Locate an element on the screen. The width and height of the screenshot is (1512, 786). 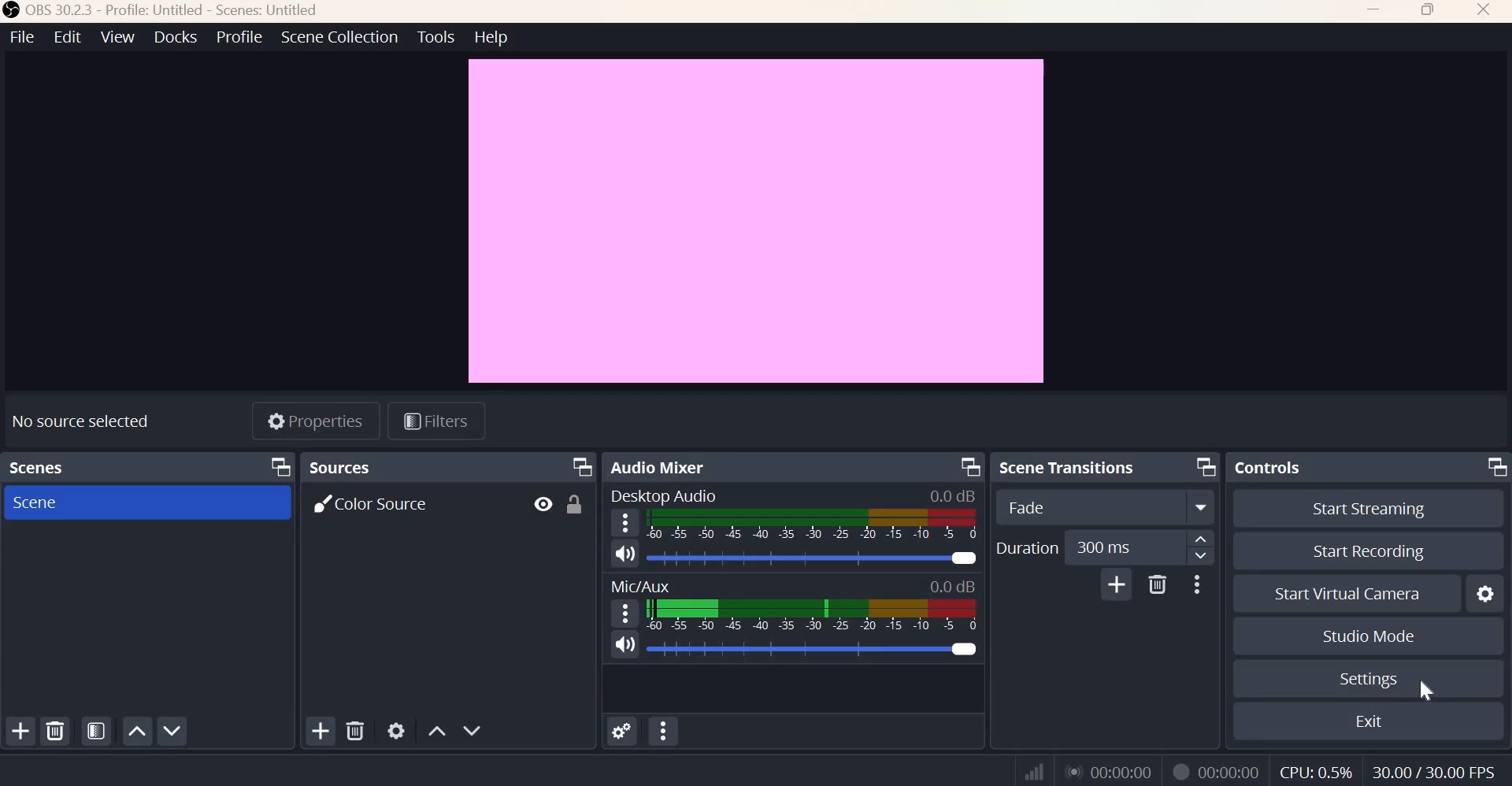
Edit is located at coordinates (65, 37).